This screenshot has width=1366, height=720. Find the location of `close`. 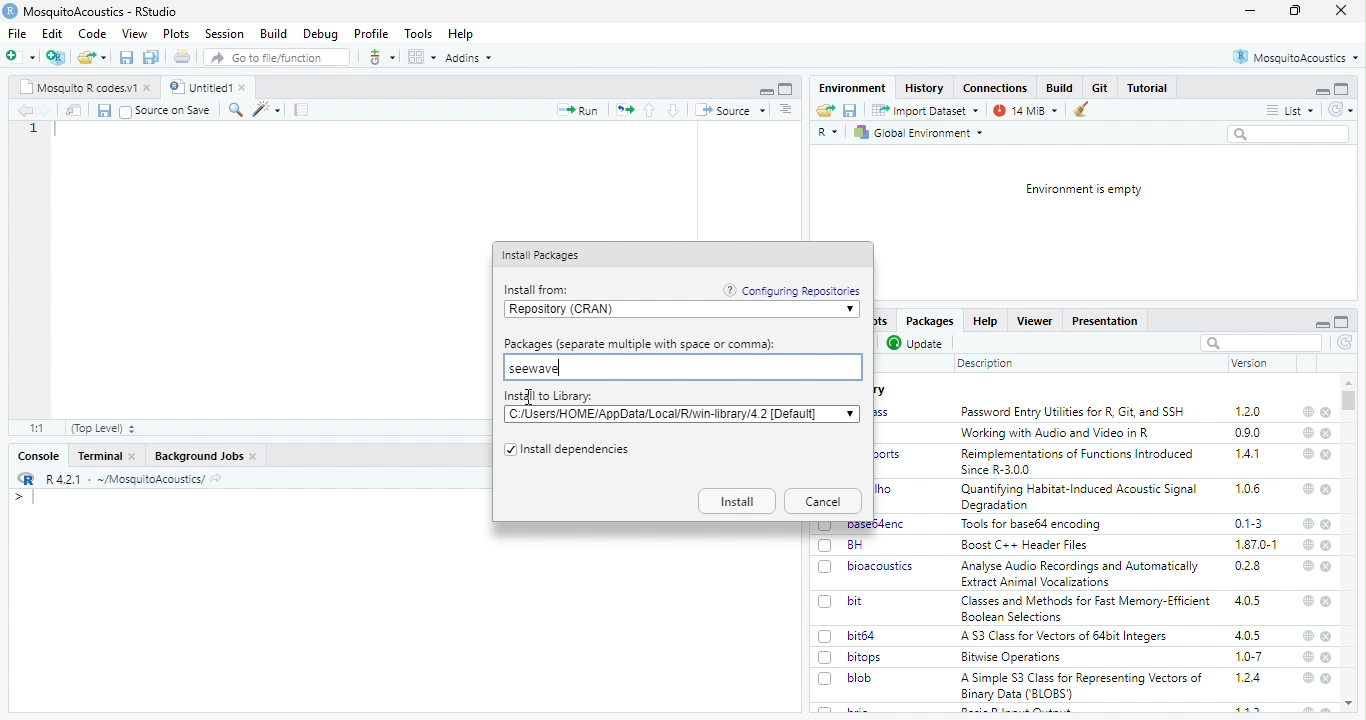

close is located at coordinates (1342, 10).